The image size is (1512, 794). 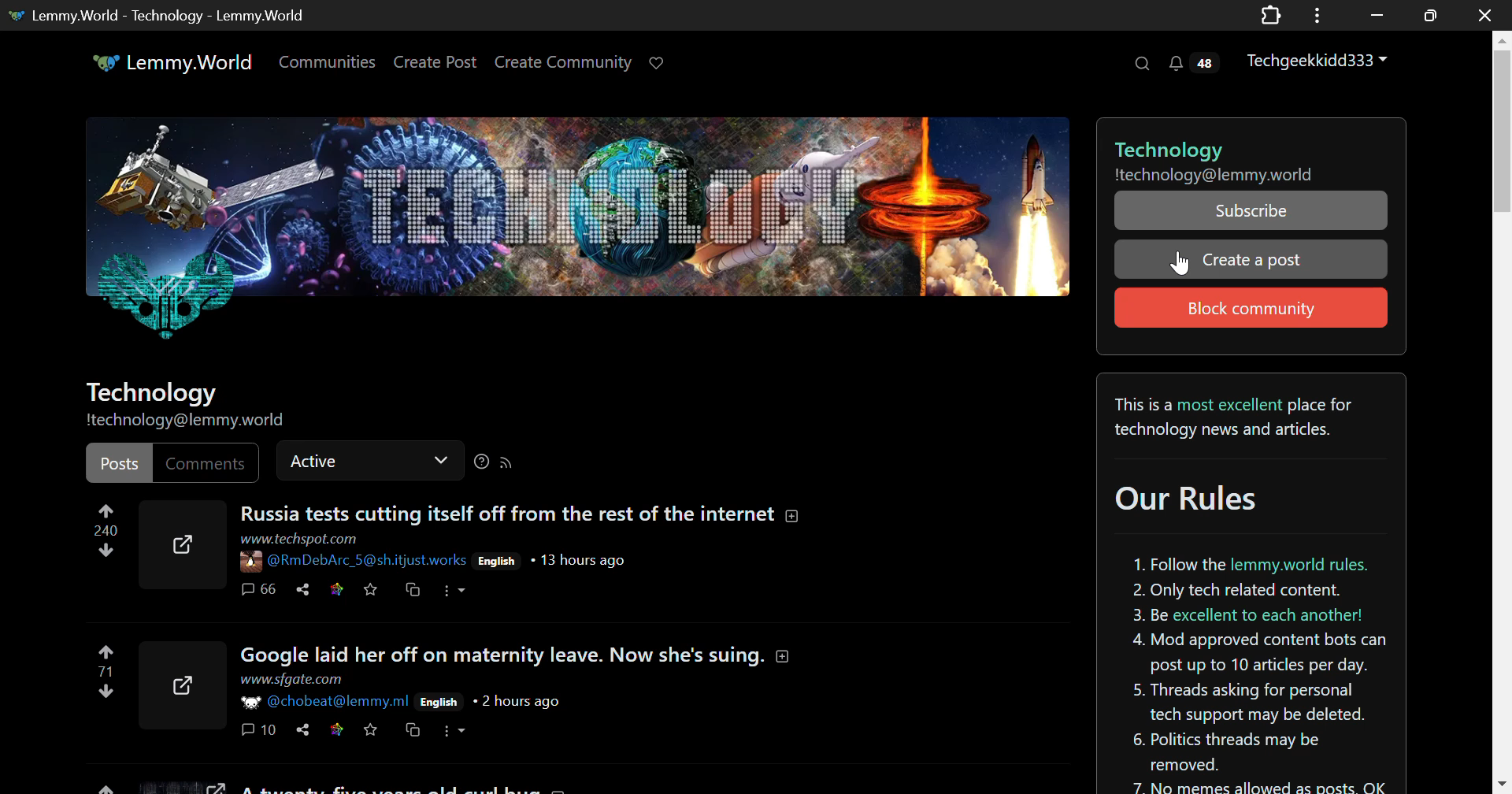 I want to click on RSS, so click(x=510, y=465).